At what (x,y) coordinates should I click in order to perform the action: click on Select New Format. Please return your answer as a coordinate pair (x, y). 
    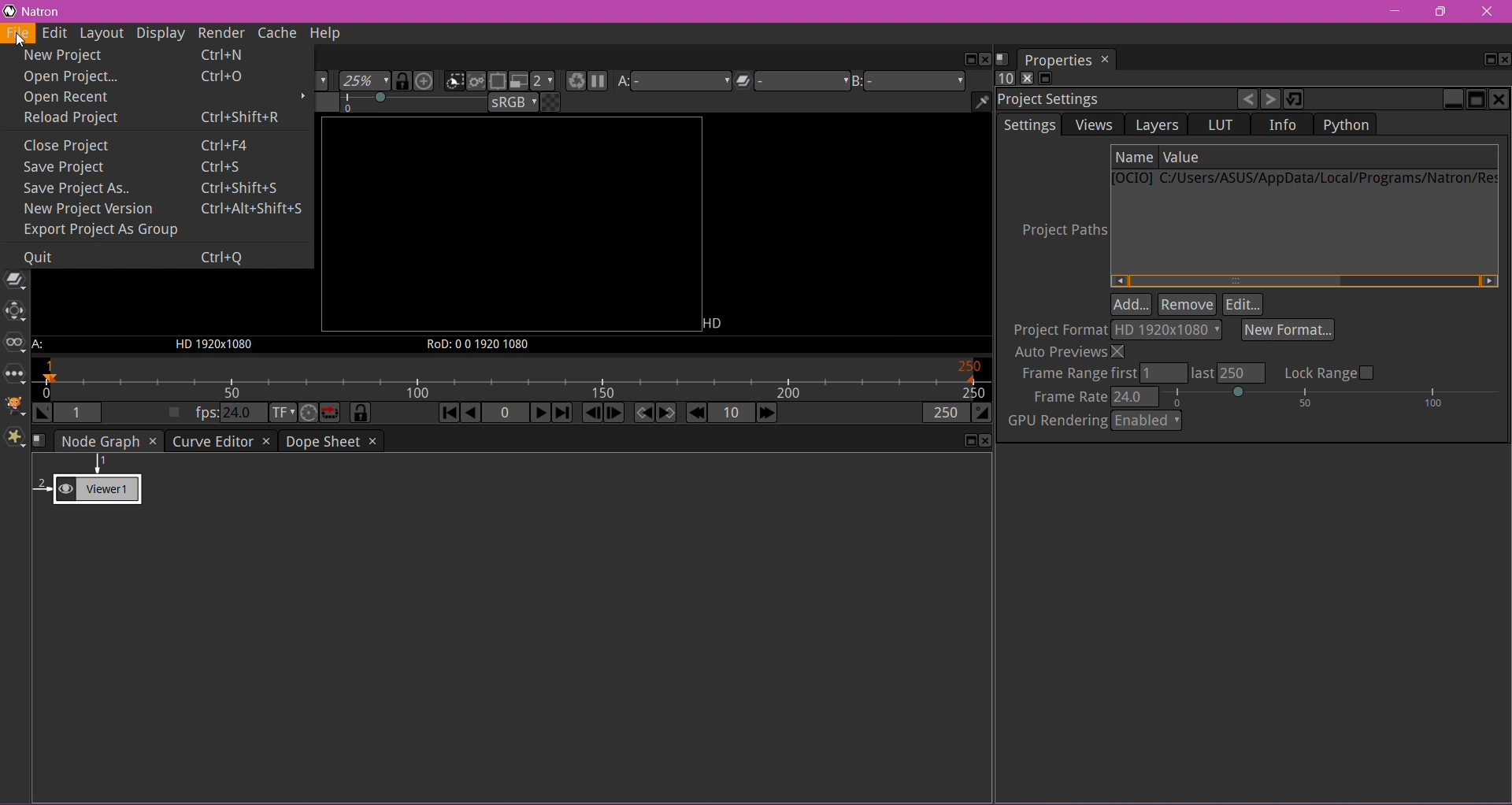
    Looking at the image, I should click on (1287, 331).